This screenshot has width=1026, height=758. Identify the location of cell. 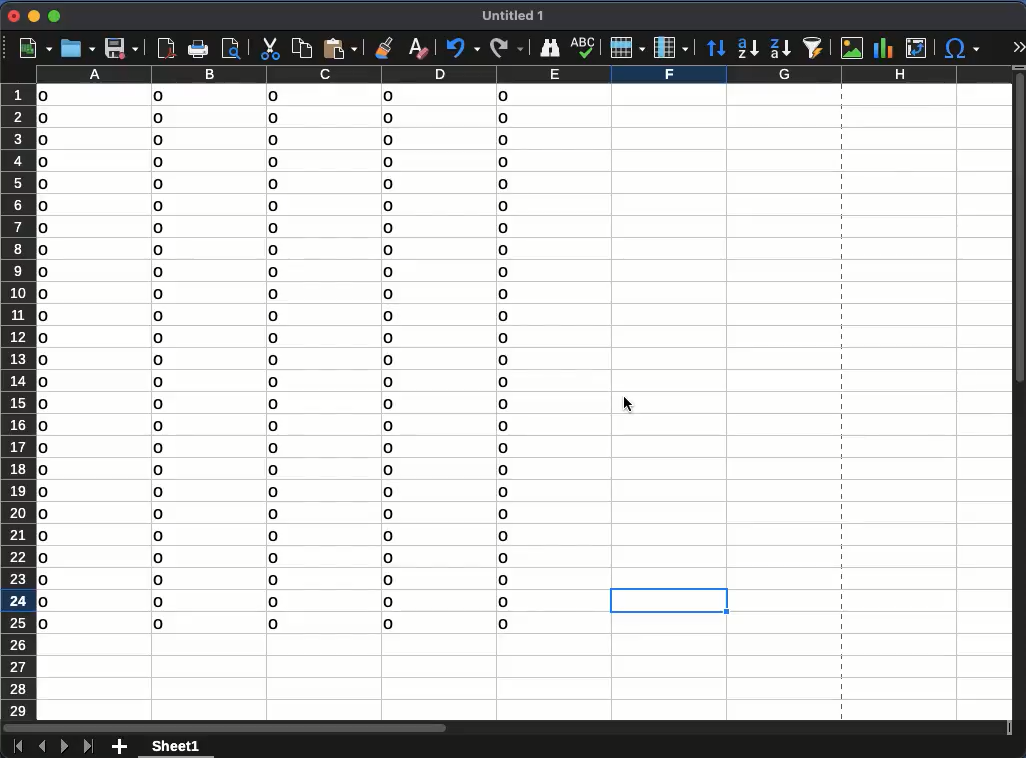
(666, 602).